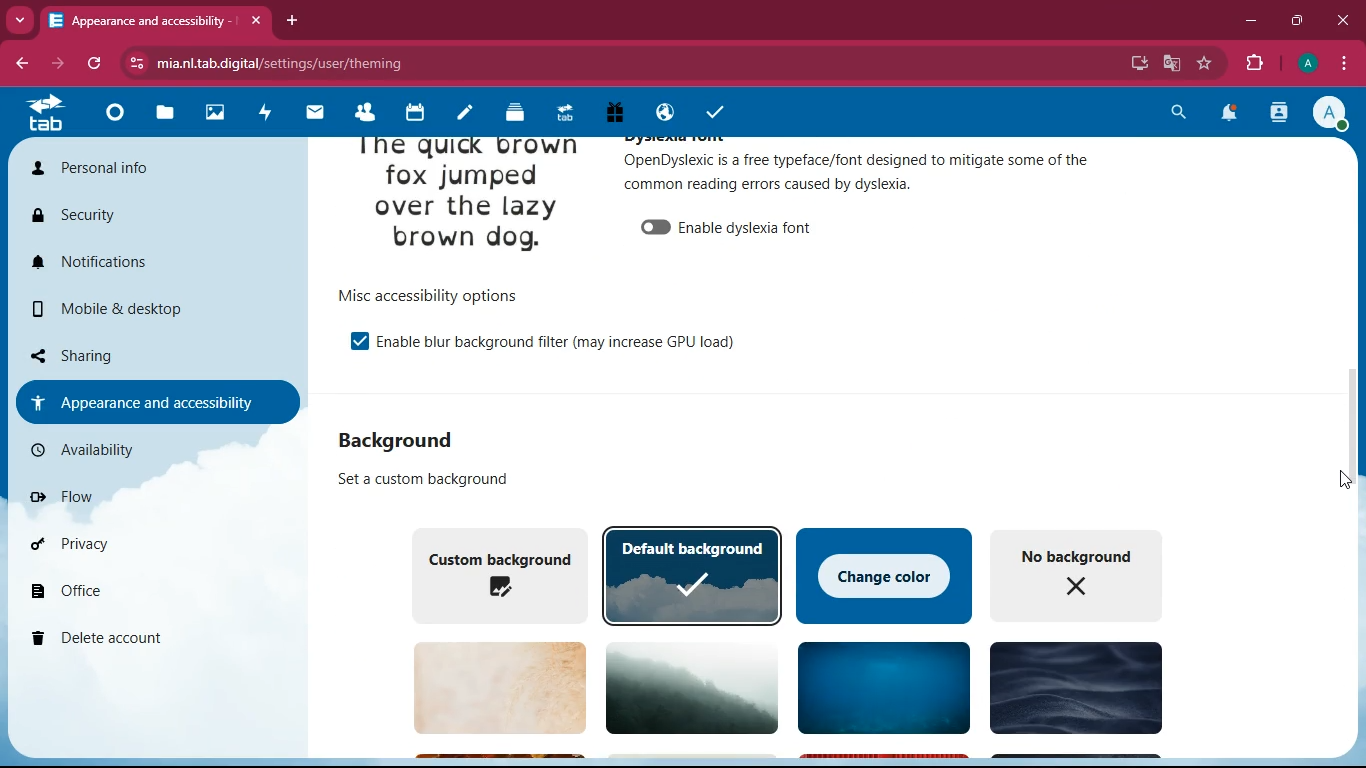 The width and height of the screenshot is (1366, 768). What do you see at coordinates (1135, 64) in the screenshot?
I see `desktop` at bounding box center [1135, 64].